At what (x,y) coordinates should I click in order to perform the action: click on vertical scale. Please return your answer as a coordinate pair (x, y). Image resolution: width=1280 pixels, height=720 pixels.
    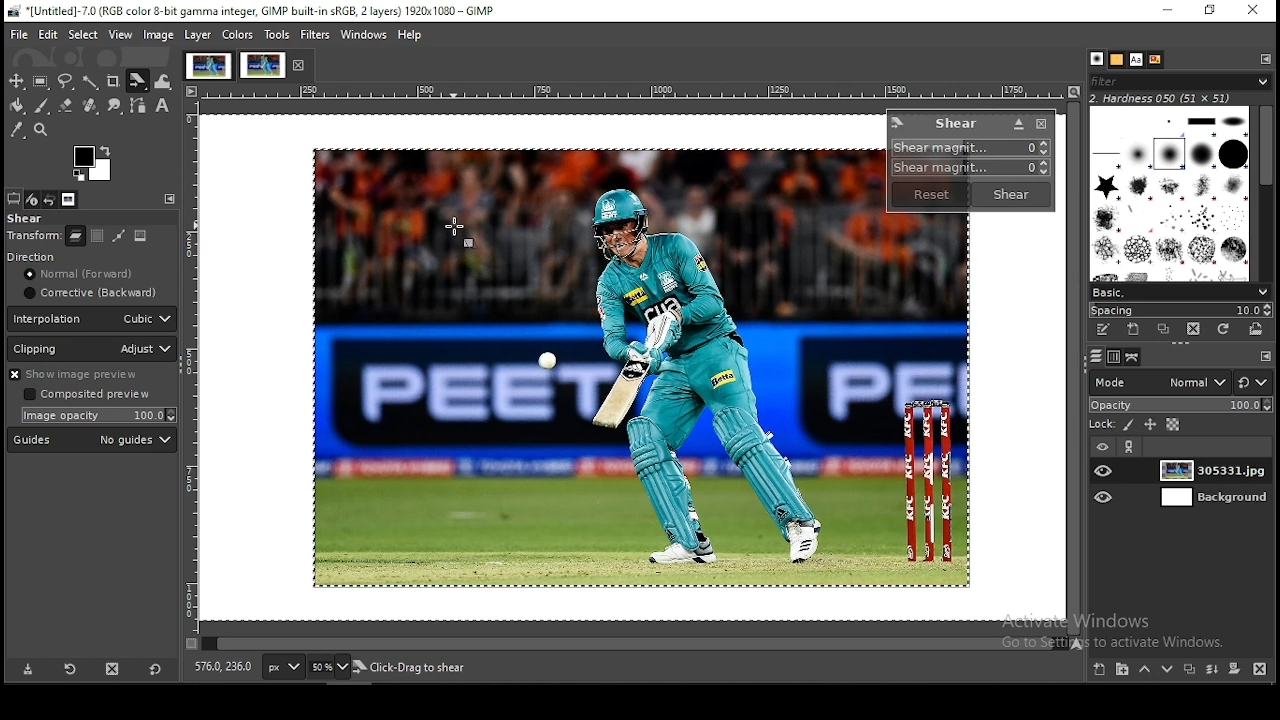
    Looking at the image, I should click on (192, 374).